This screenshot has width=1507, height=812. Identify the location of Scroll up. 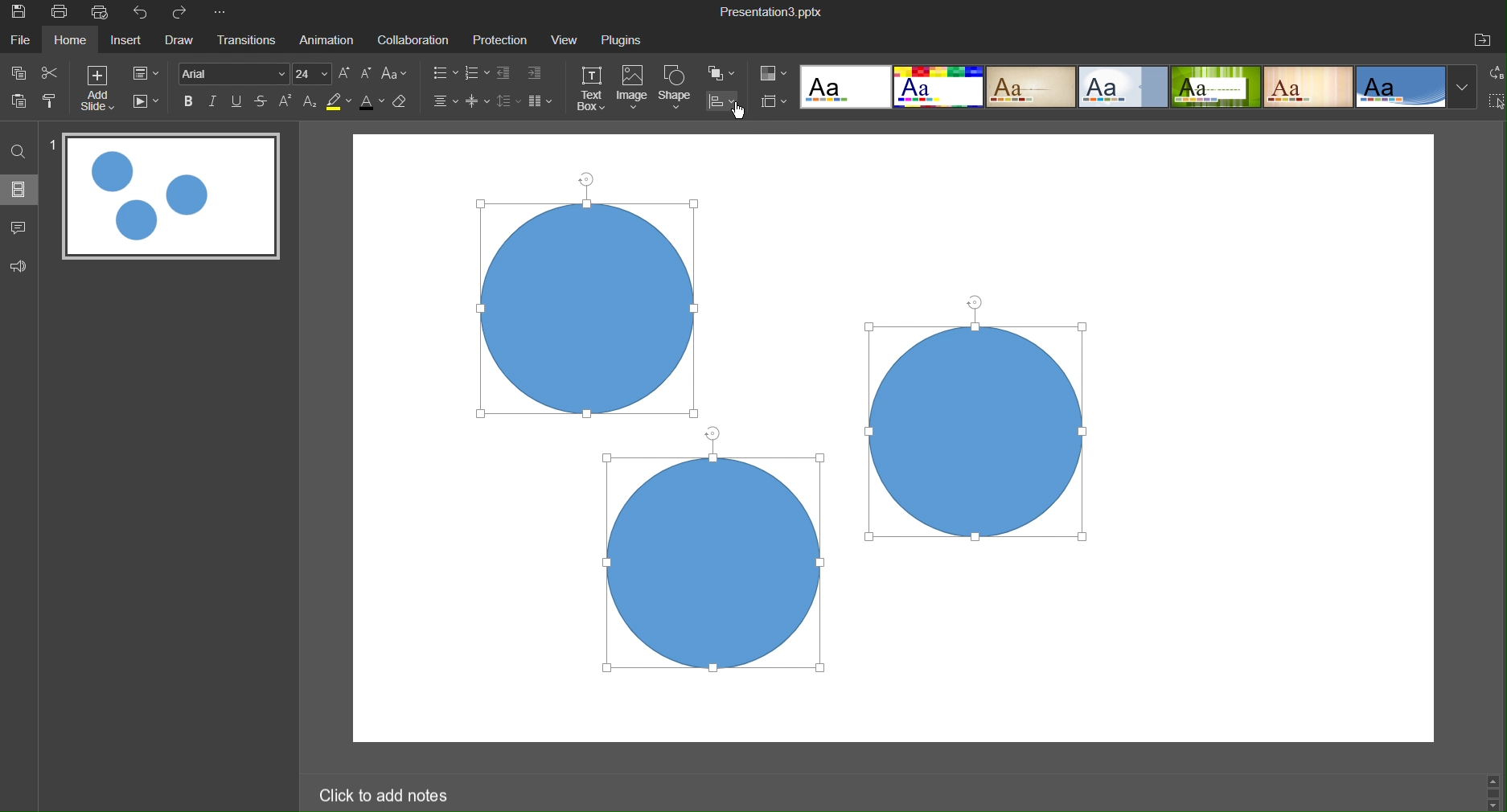
(1497, 777).